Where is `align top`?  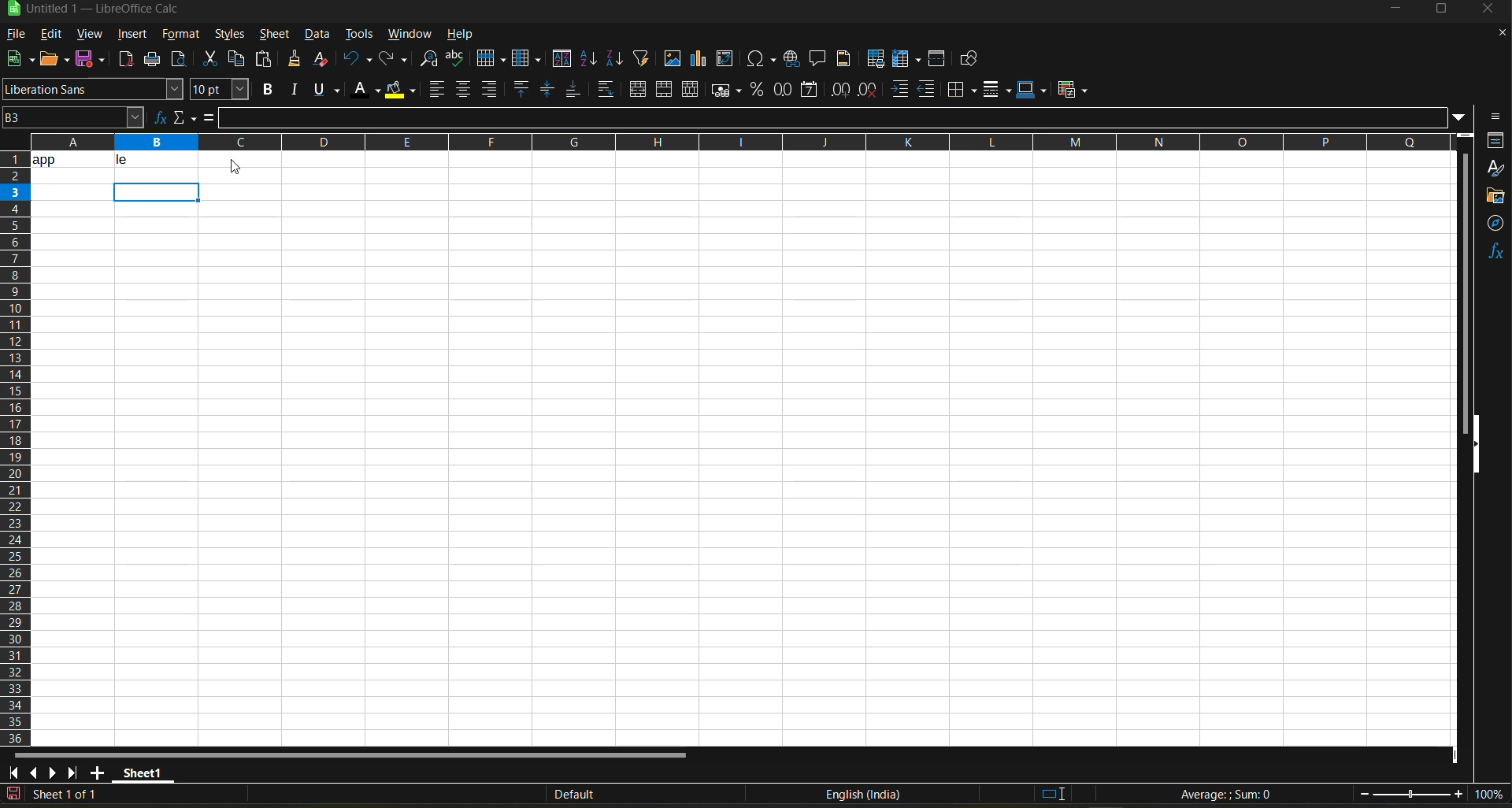 align top is located at coordinates (519, 89).